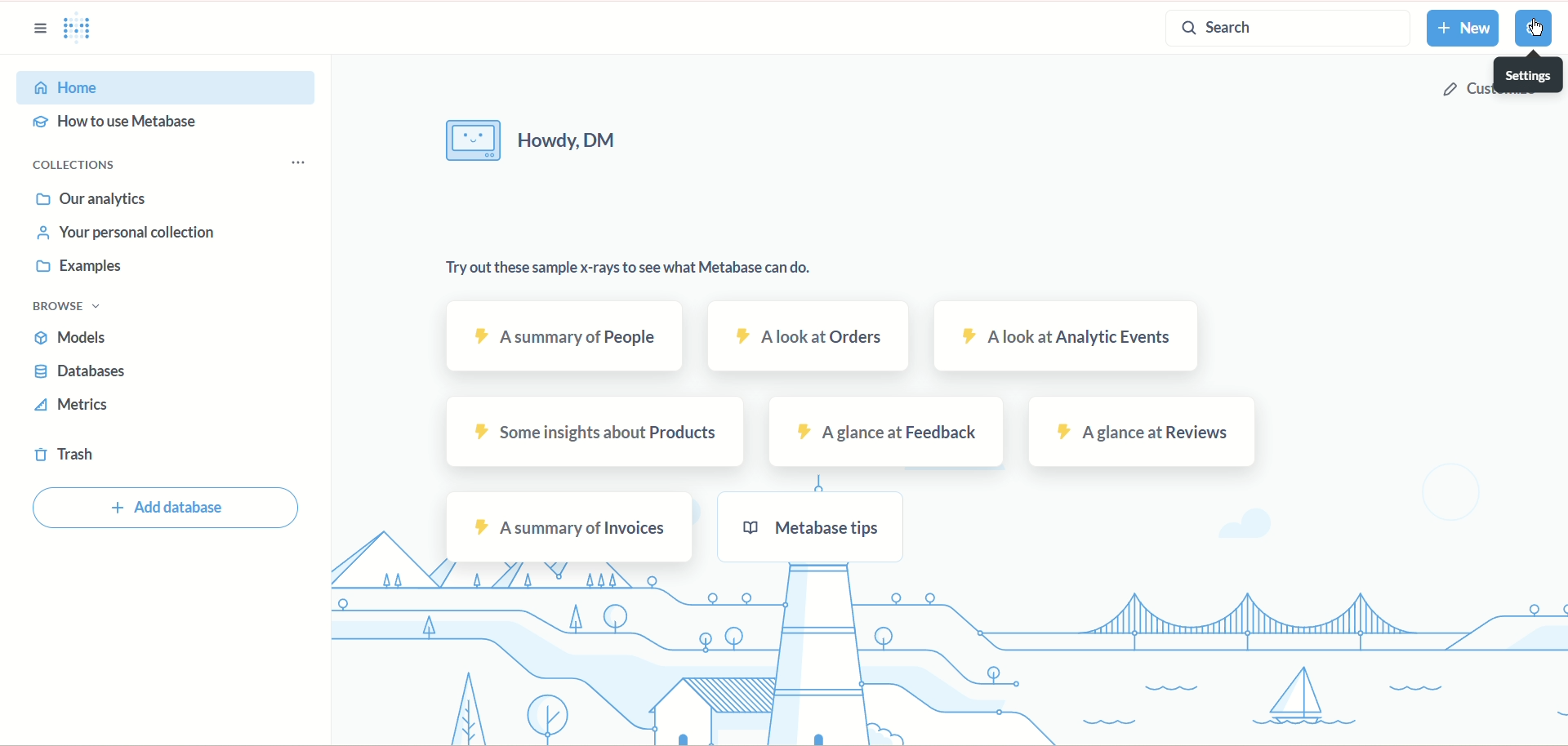 The image size is (1568, 746). Describe the element at coordinates (1066, 433) in the screenshot. I see `A glance at Reviews` at that location.